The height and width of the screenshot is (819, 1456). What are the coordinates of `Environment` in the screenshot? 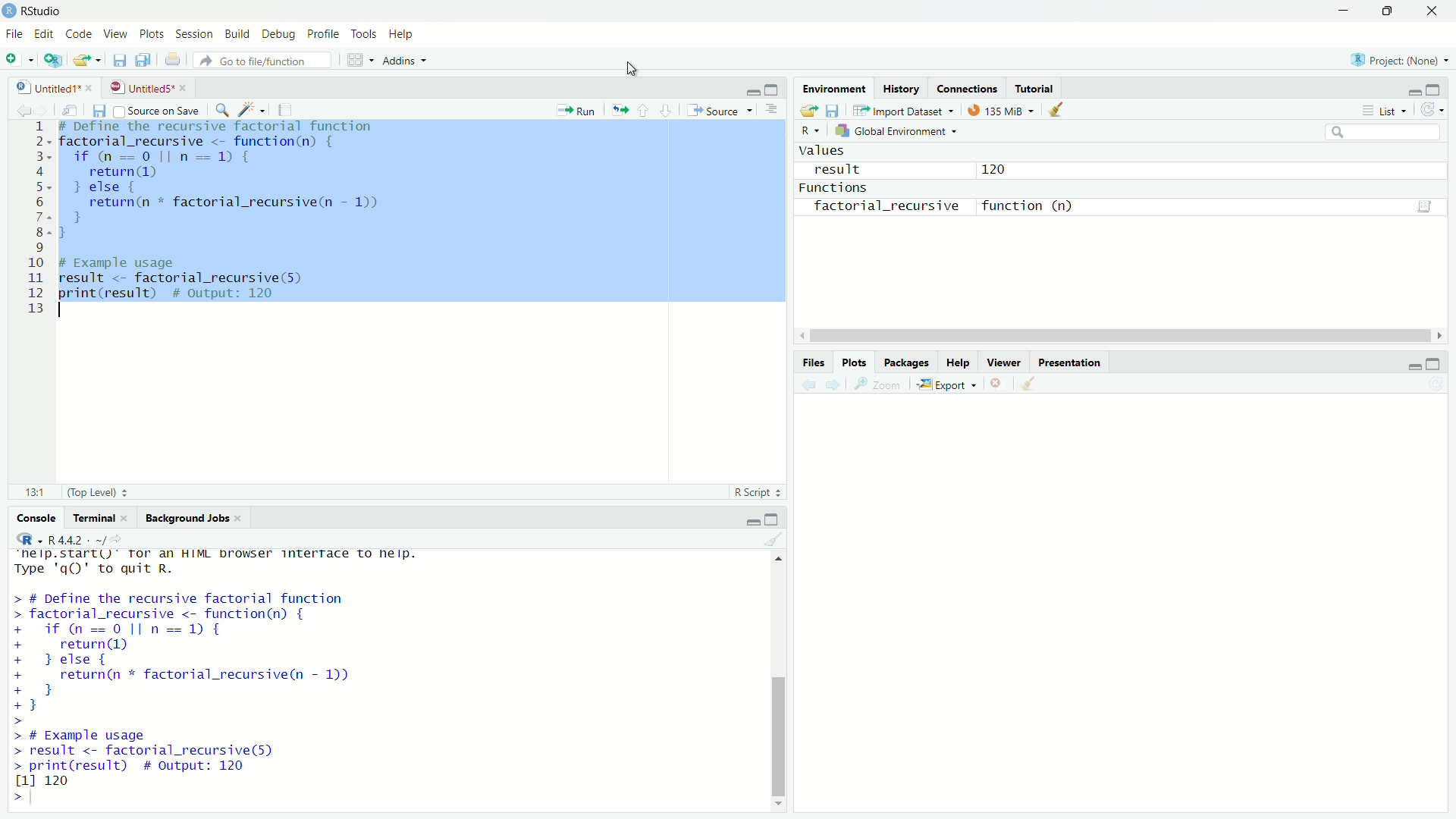 It's located at (834, 86).